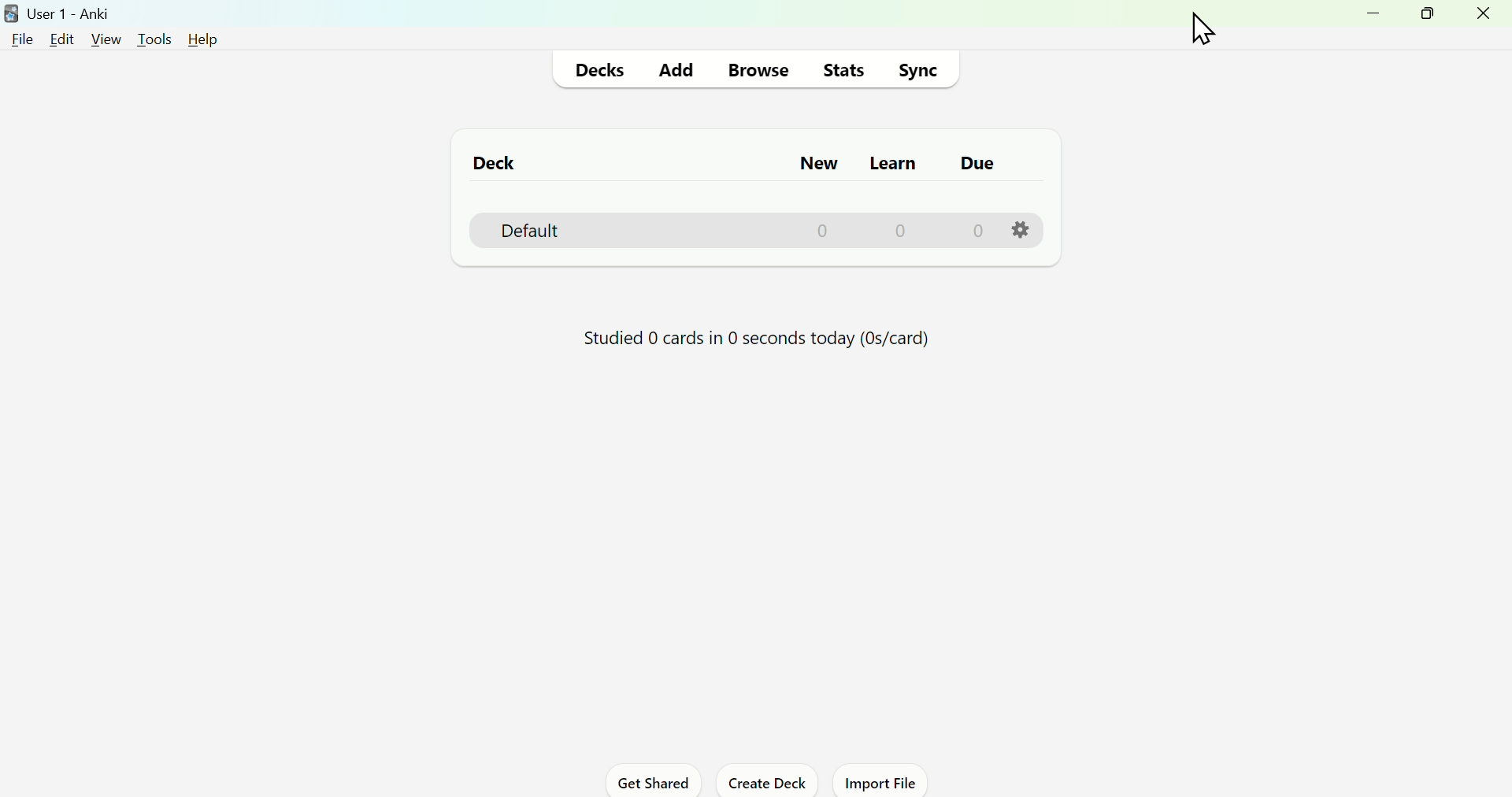 The width and height of the screenshot is (1512, 797). What do you see at coordinates (599, 69) in the screenshot?
I see `Decks` at bounding box center [599, 69].